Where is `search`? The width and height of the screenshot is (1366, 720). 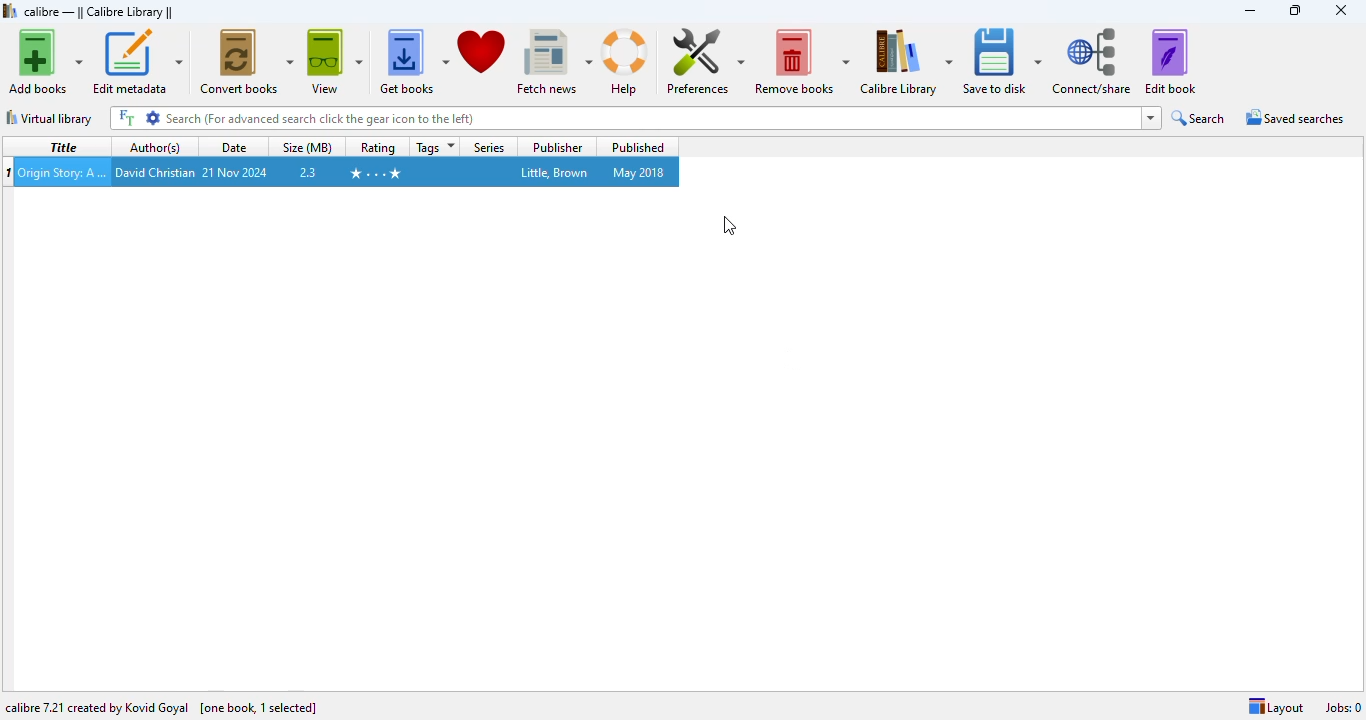 search is located at coordinates (625, 118).